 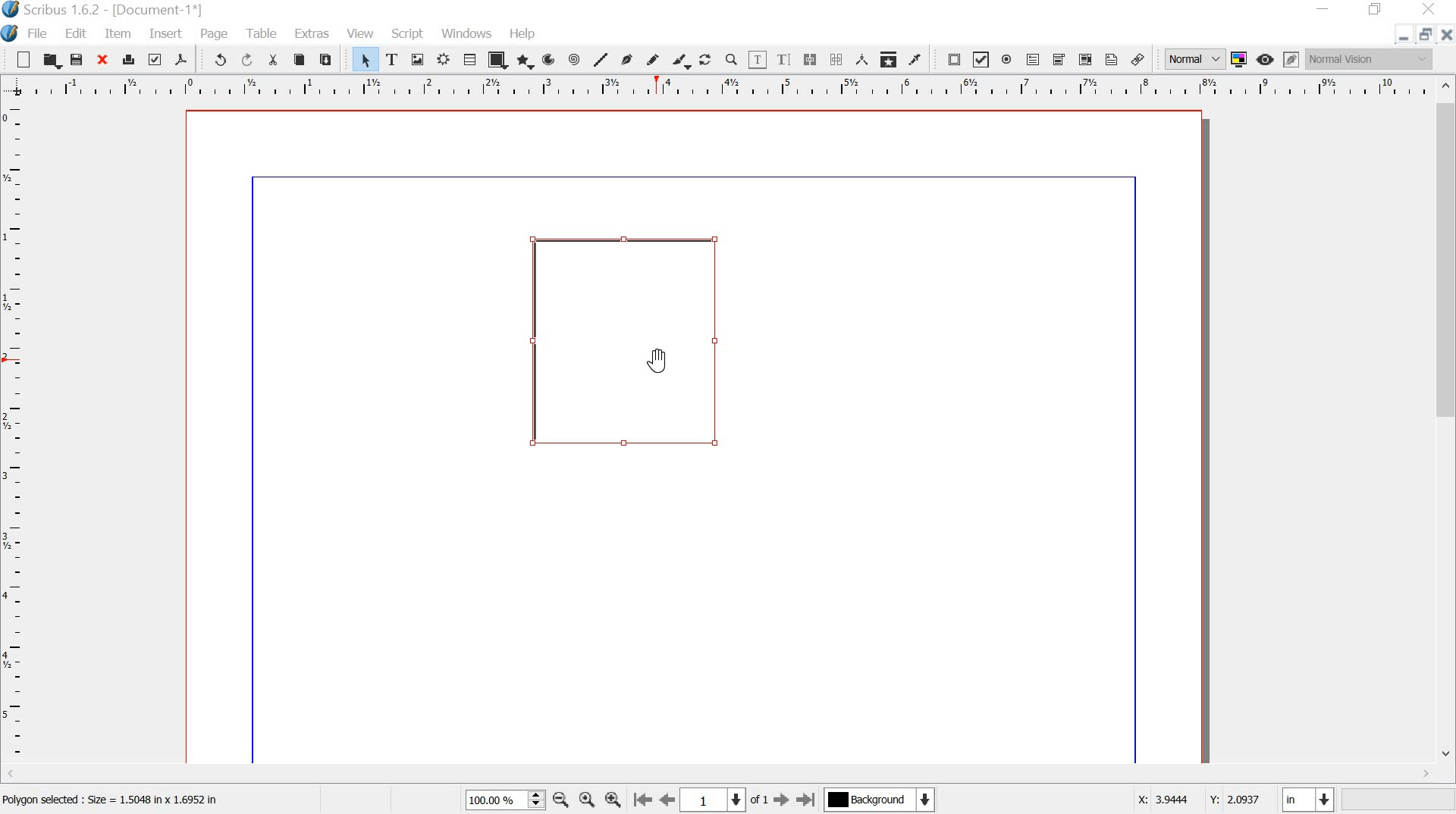 What do you see at coordinates (1325, 8) in the screenshot?
I see `minimize` at bounding box center [1325, 8].